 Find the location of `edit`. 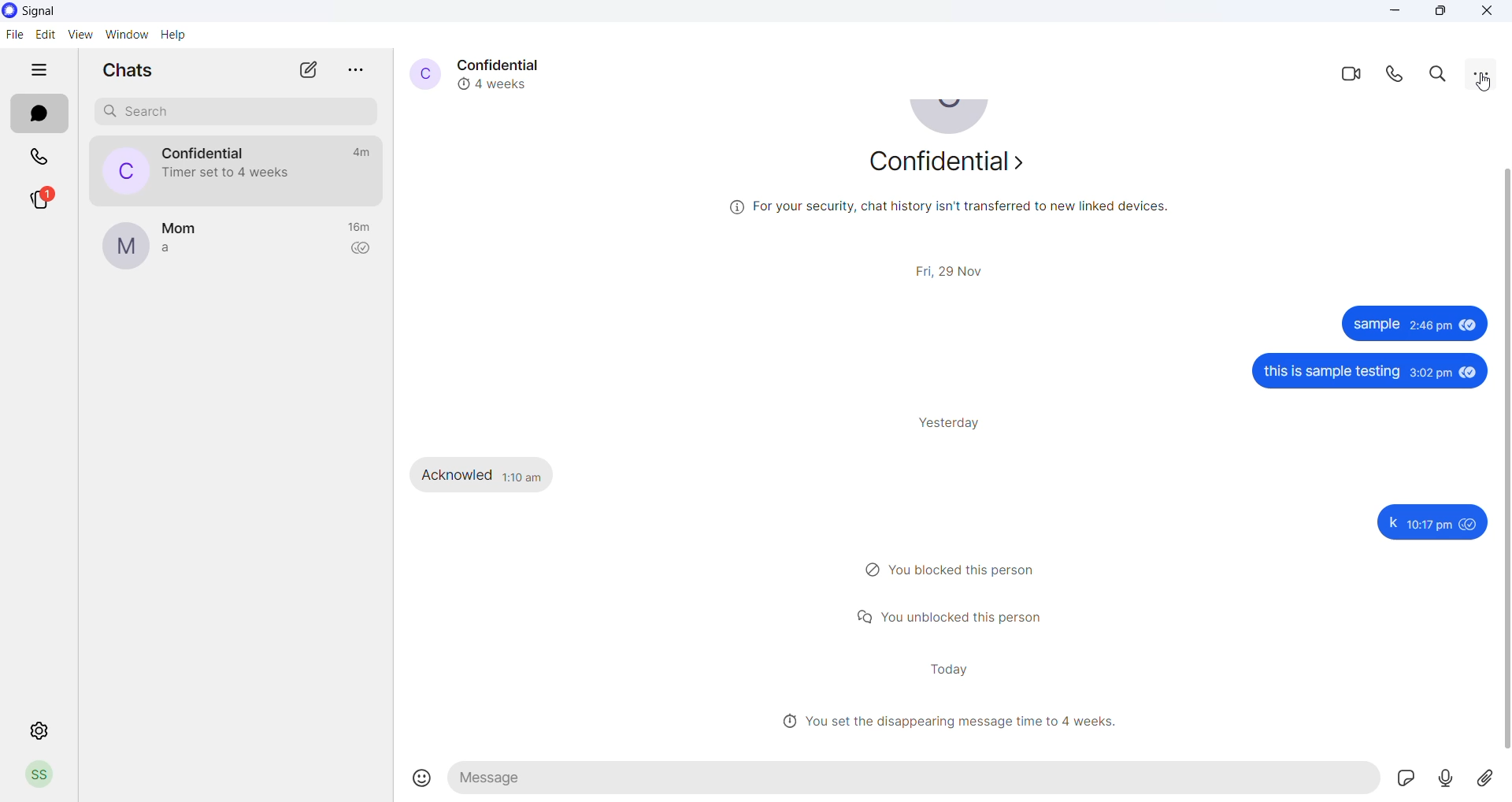

edit is located at coordinates (44, 35).